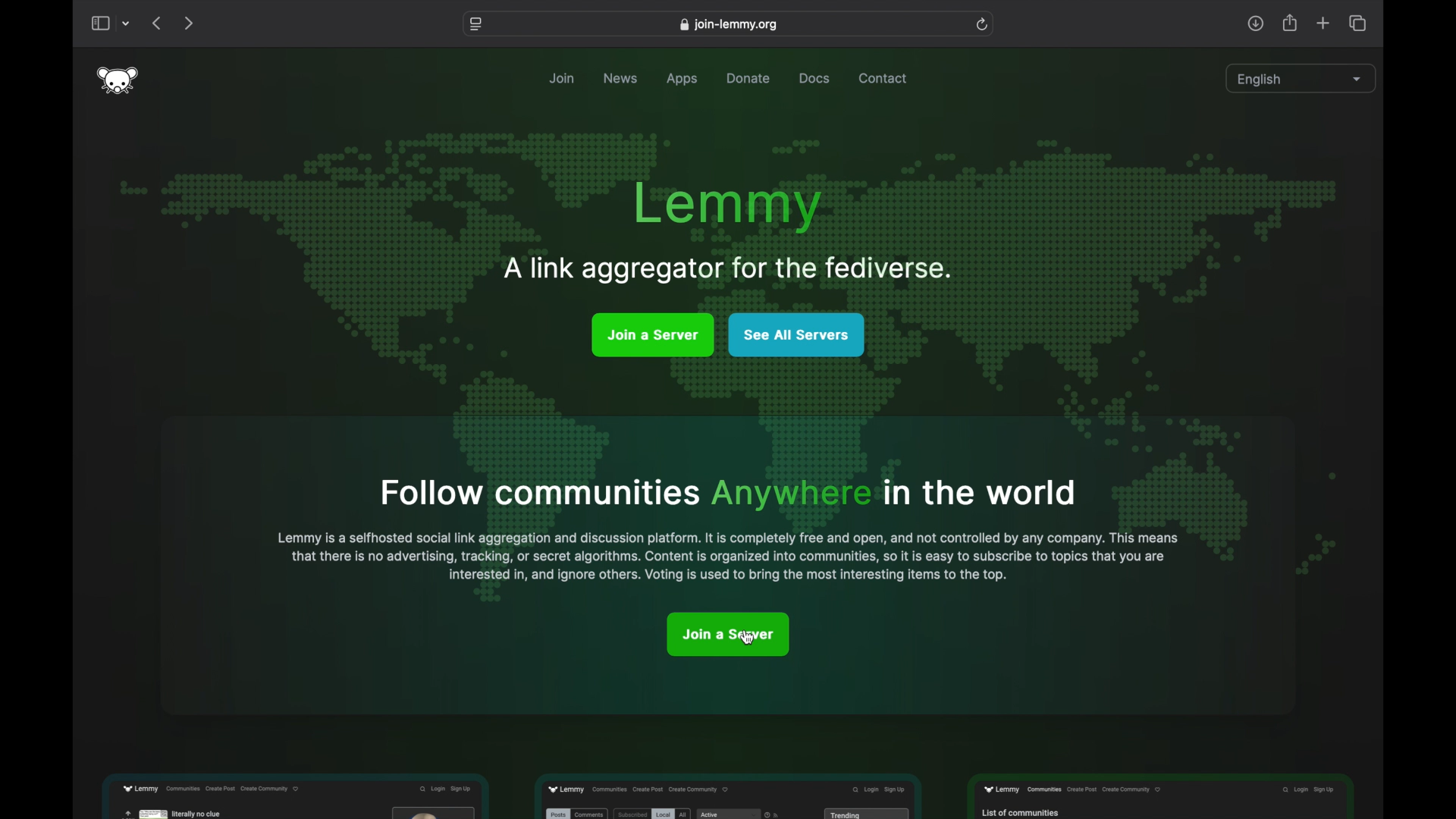  I want to click on tab group picker, so click(127, 24).